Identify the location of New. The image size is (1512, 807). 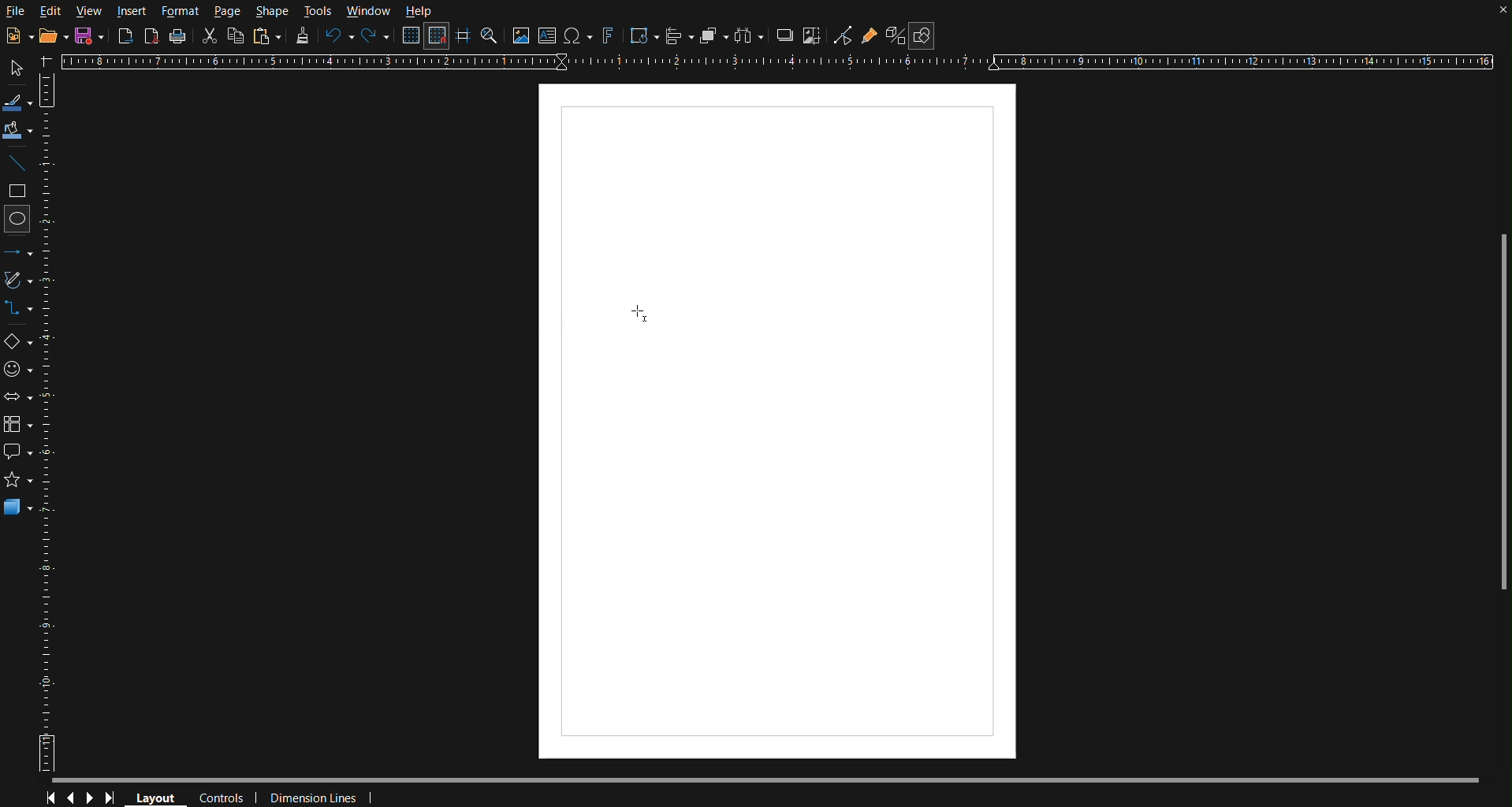
(87, 37).